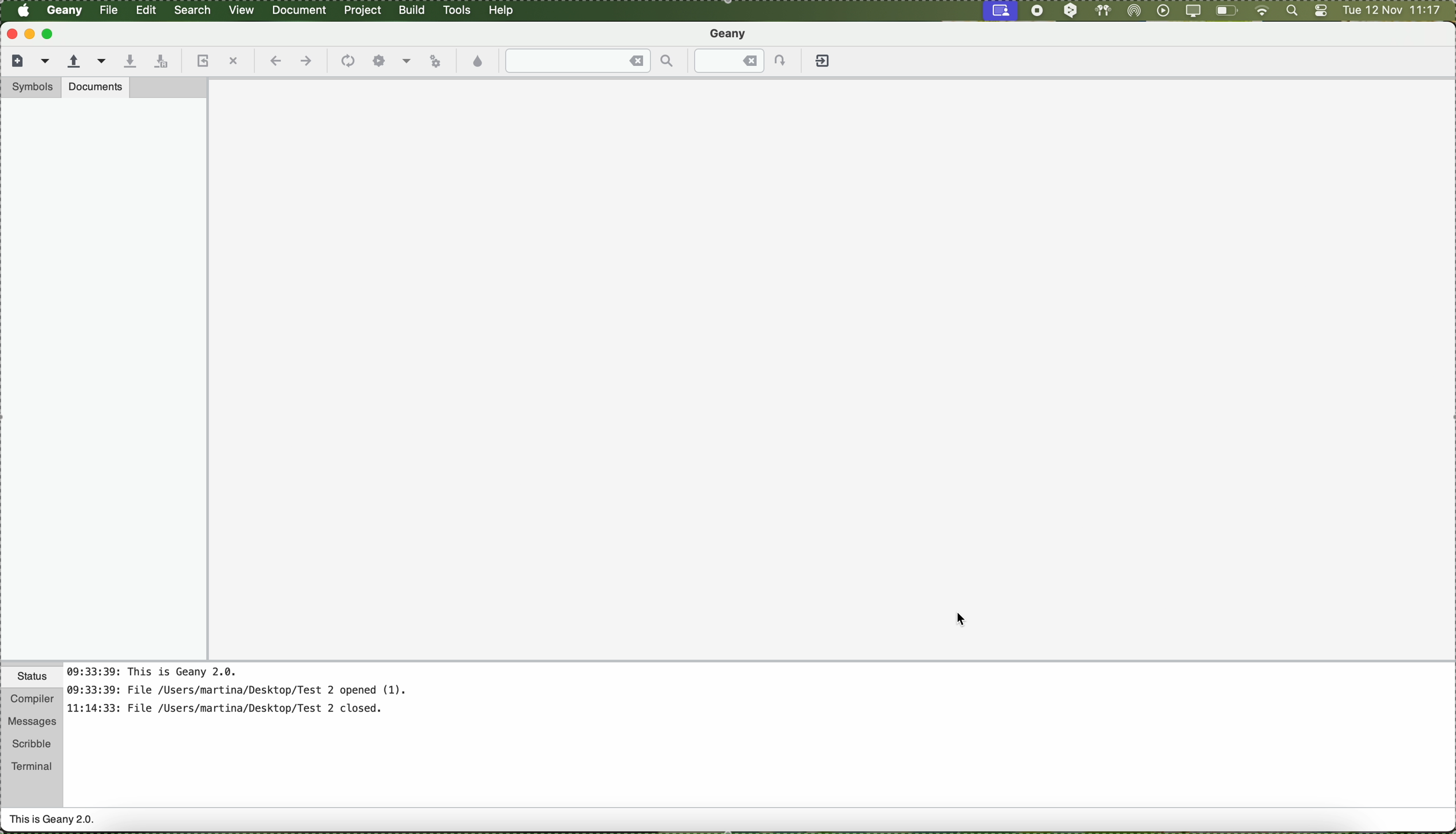 This screenshot has height=834, width=1456. Describe the element at coordinates (479, 62) in the screenshot. I see `choose color` at that location.